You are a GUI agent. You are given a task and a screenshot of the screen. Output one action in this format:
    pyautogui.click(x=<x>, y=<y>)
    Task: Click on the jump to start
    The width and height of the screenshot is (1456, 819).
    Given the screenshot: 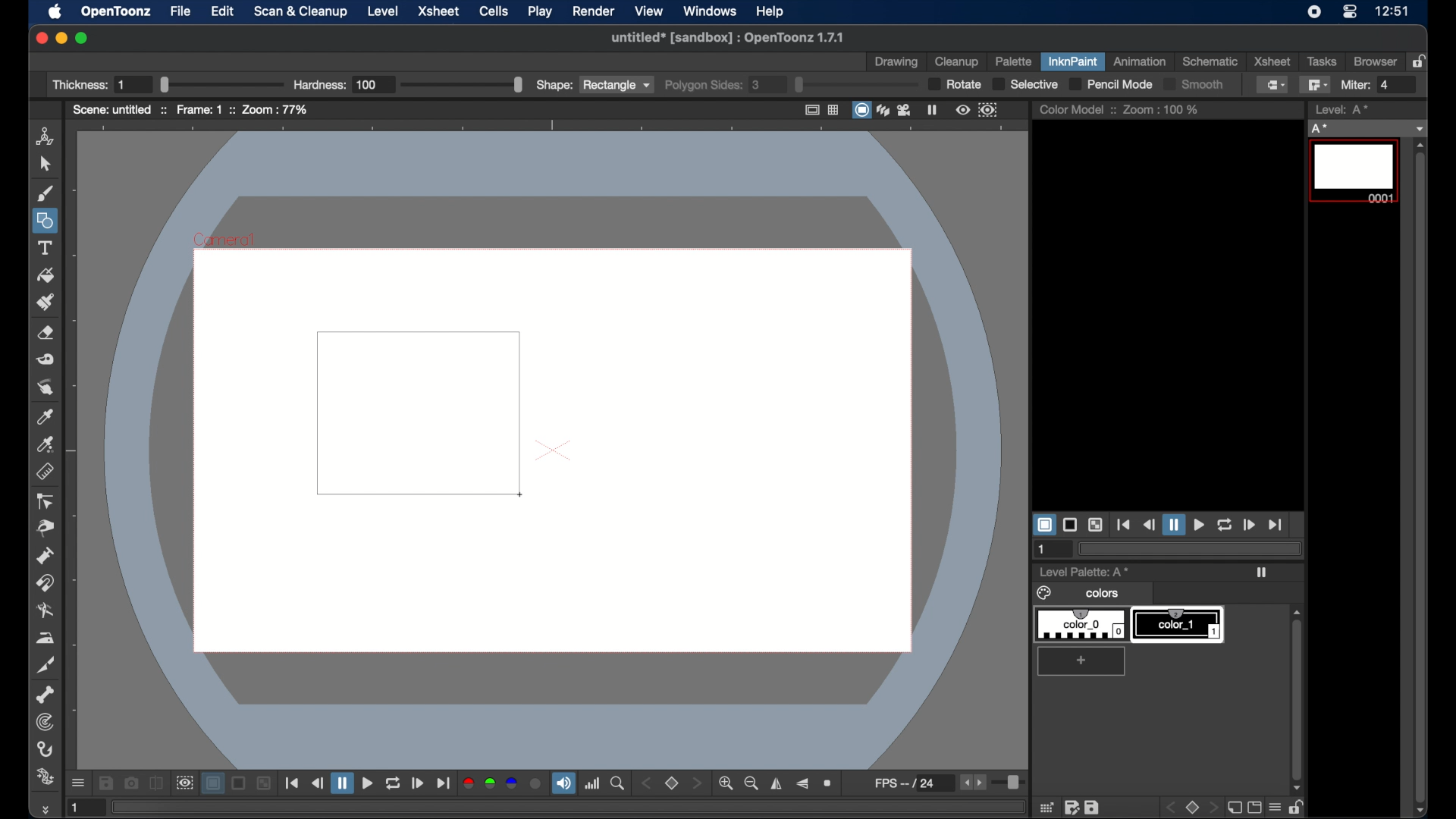 What is the action you would take?
    pyautogui.click(x=1124, y=525)
    